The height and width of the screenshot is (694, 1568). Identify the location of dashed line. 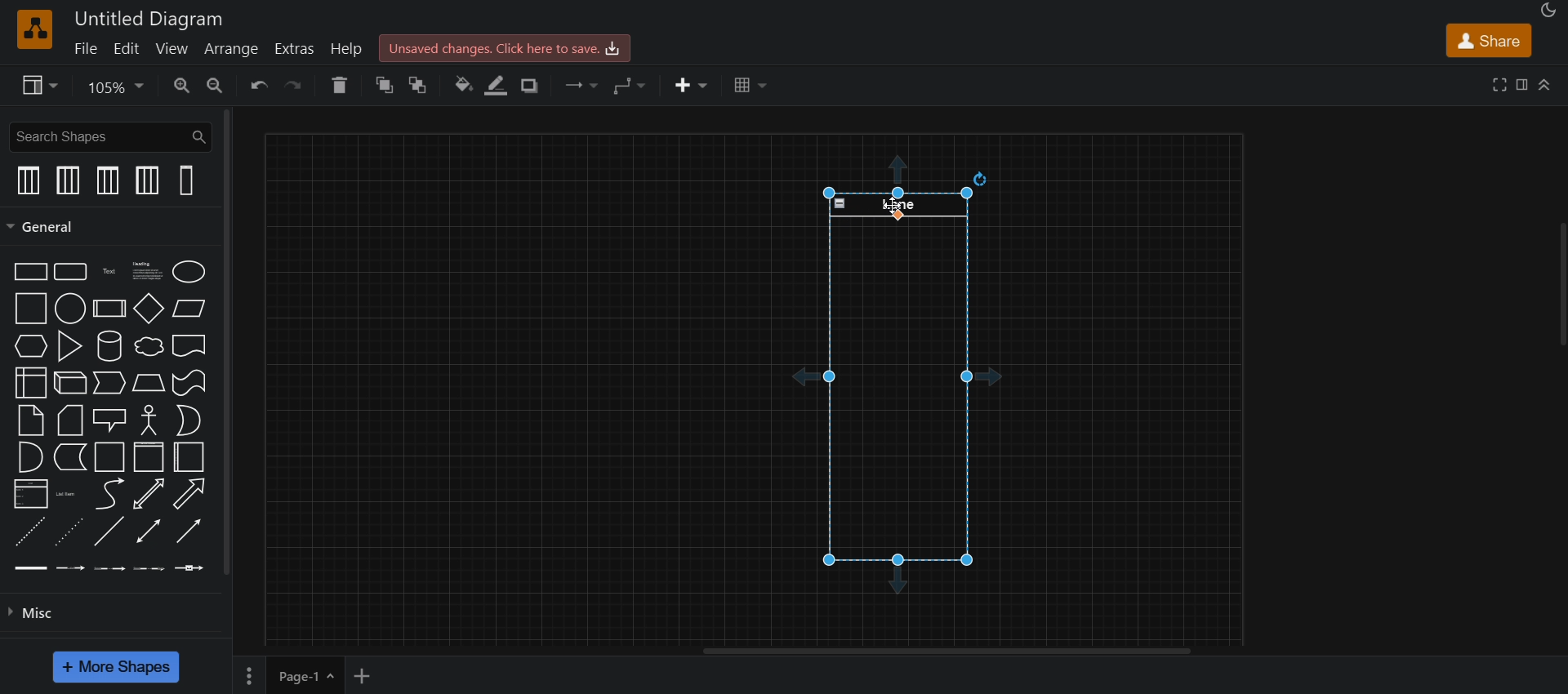
(25, 532).